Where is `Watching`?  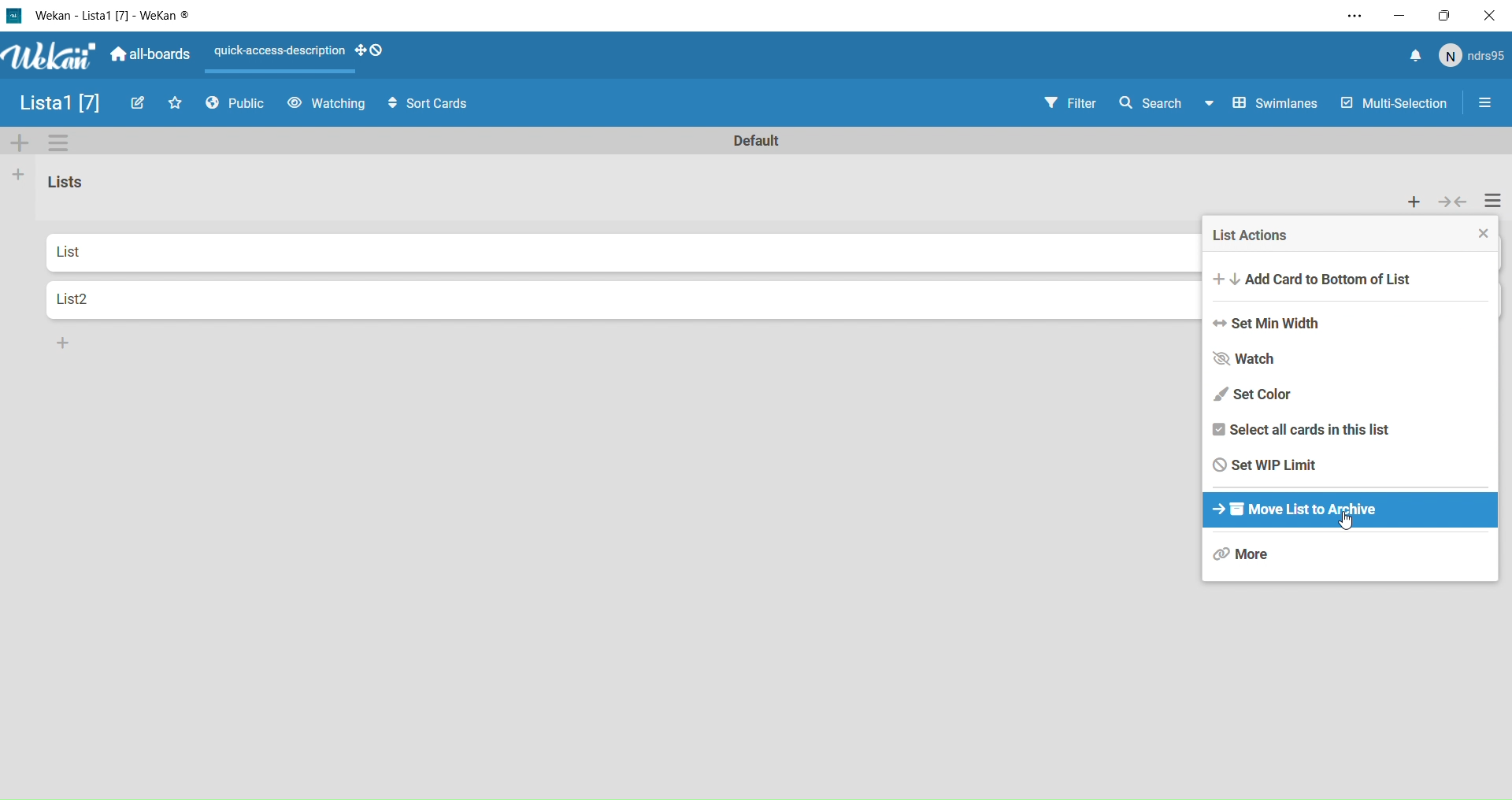
Watching is located at coordinates (328, 104).